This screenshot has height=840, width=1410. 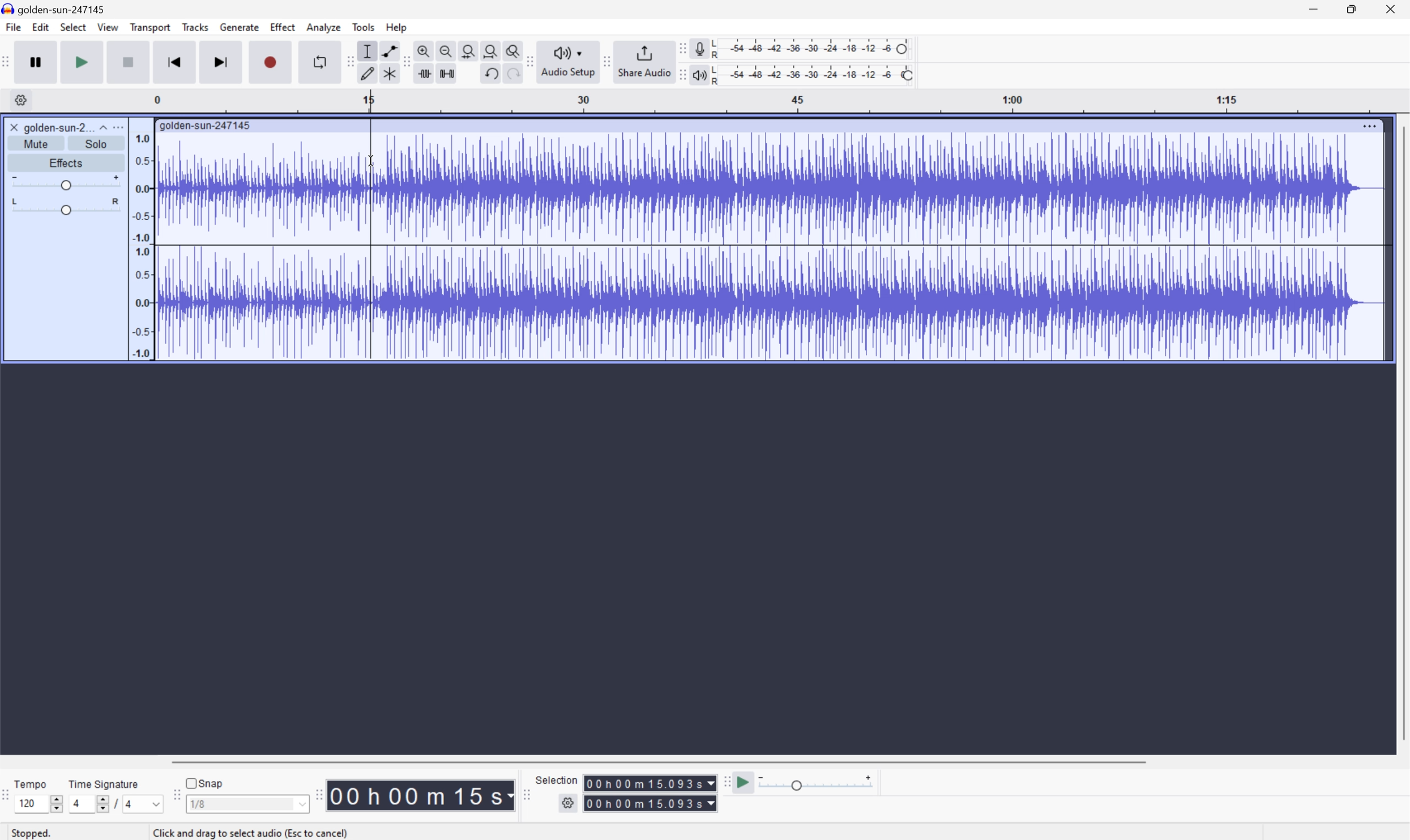 I want to click on 120, so click(x=27, y=803).